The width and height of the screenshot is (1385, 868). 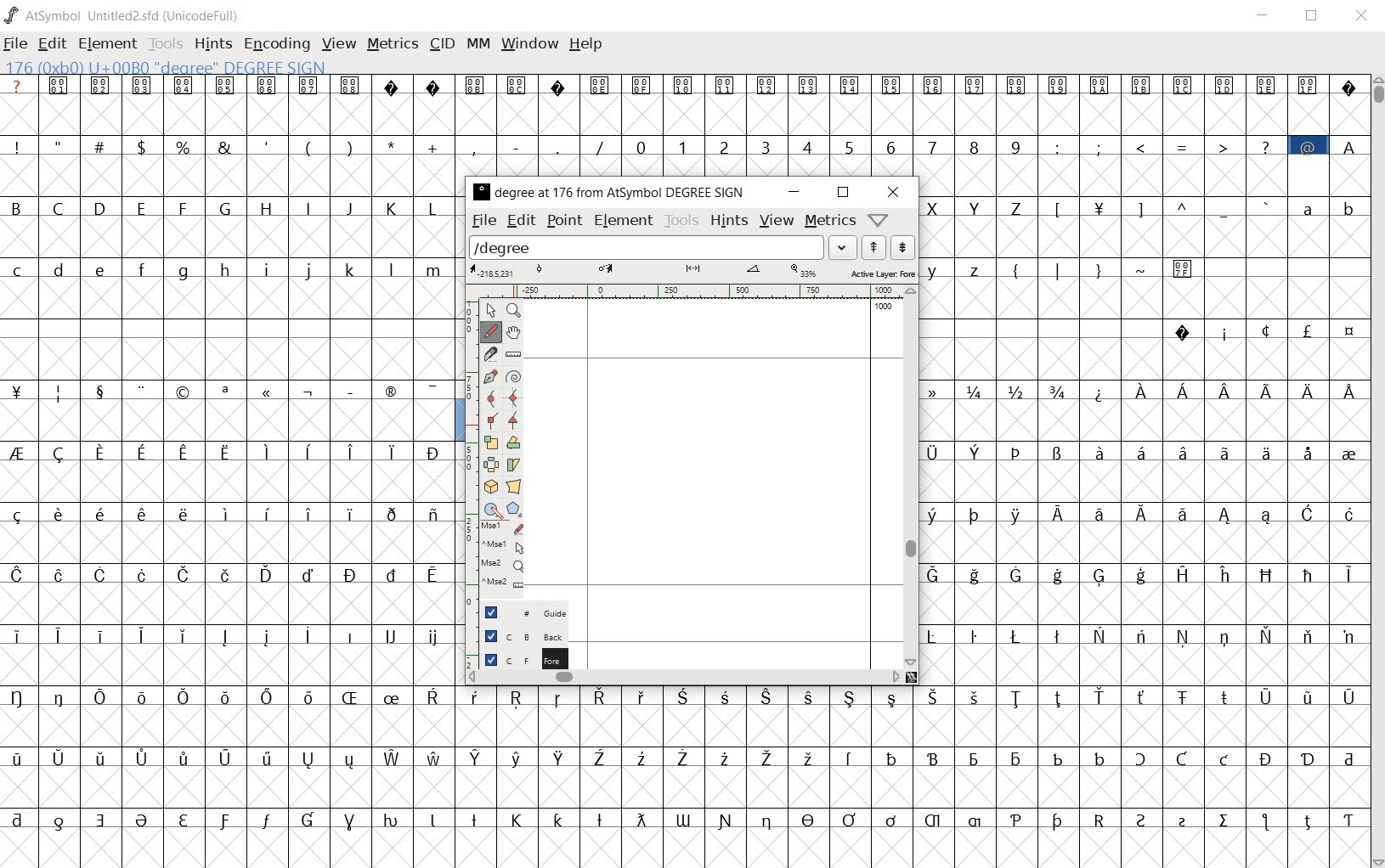 What do you see at coordinates (489, 442) in the screenshot?
I see `scale the selection` at bounding box center [489, 442].